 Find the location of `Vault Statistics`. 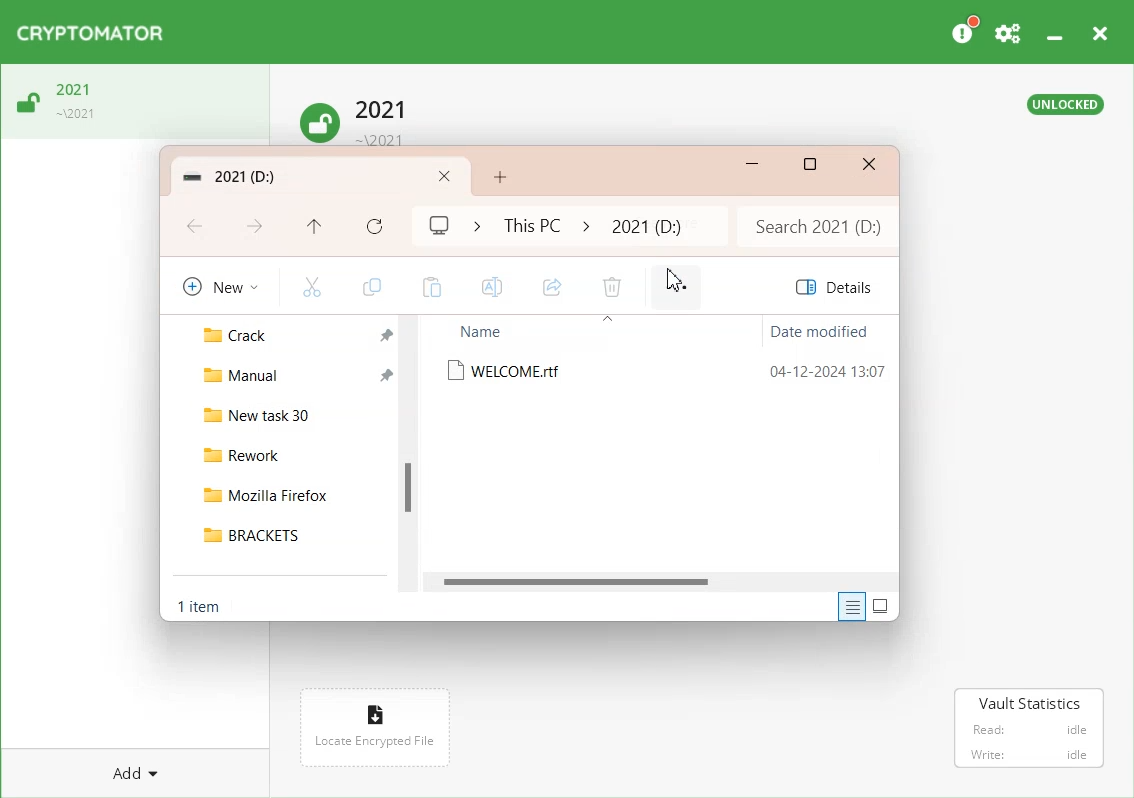

Vault Statistics is located at coordinates (1030, 730).